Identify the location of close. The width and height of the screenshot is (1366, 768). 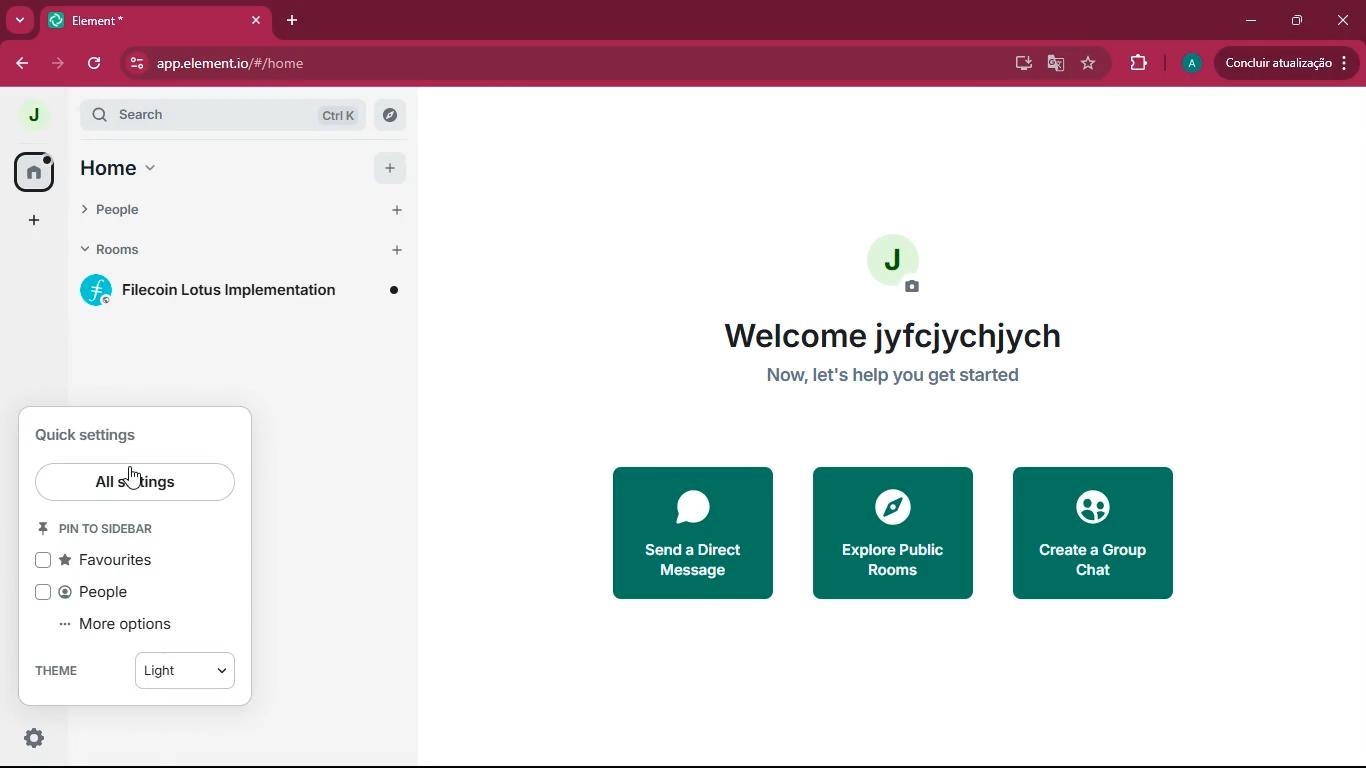
(1346, 21).